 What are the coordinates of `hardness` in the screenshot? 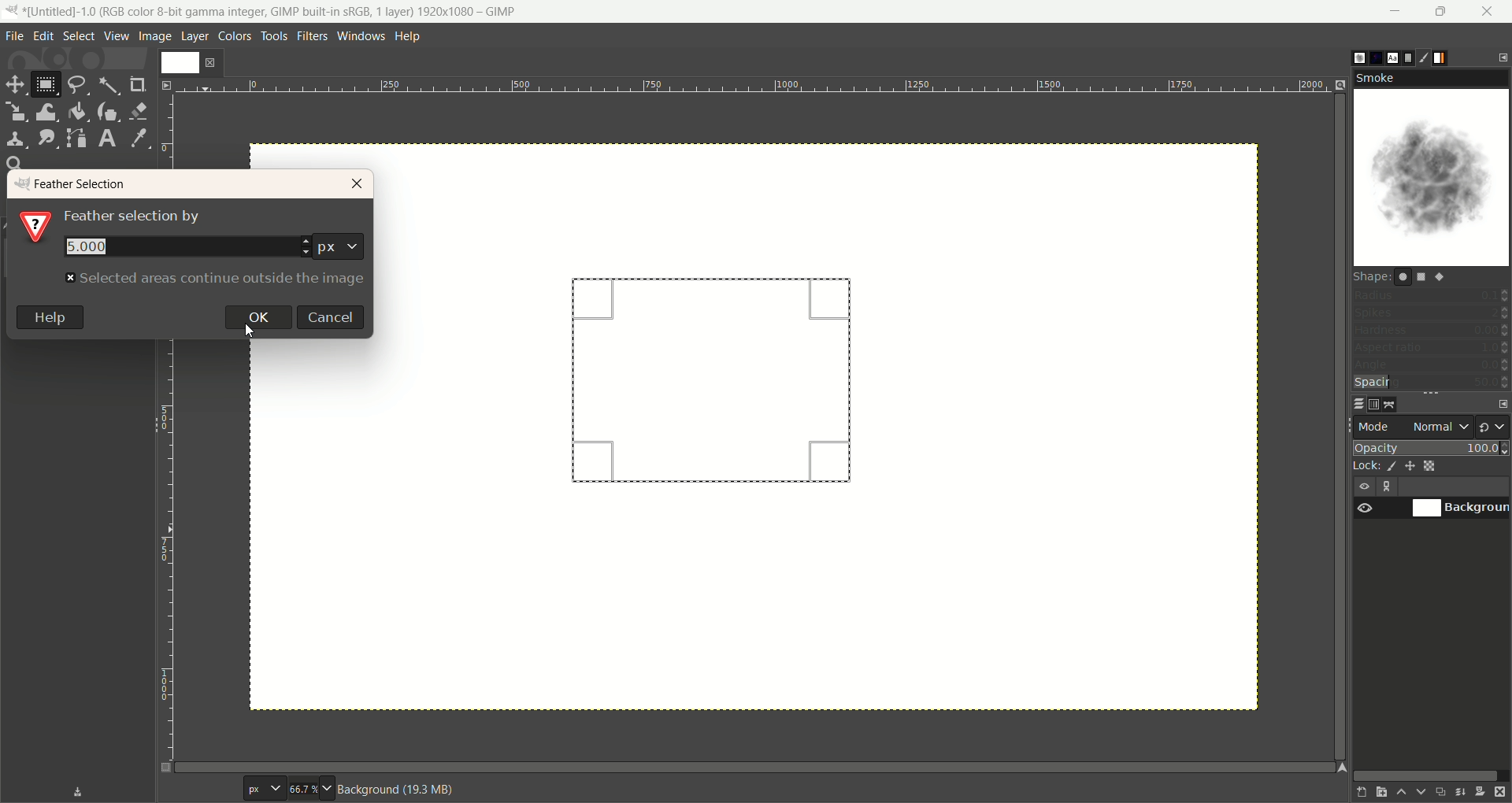 It's located at (1431, 331).